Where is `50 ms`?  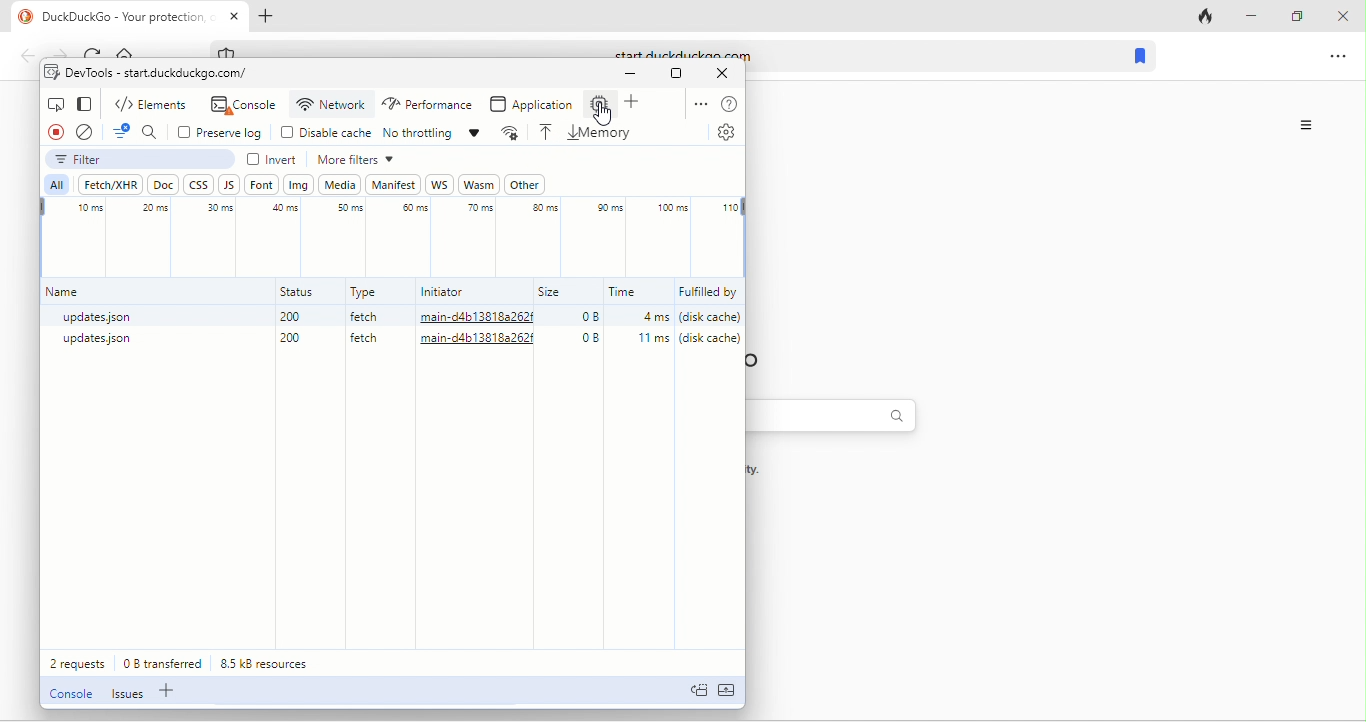 50 ms is located at coordinates (344, 216).